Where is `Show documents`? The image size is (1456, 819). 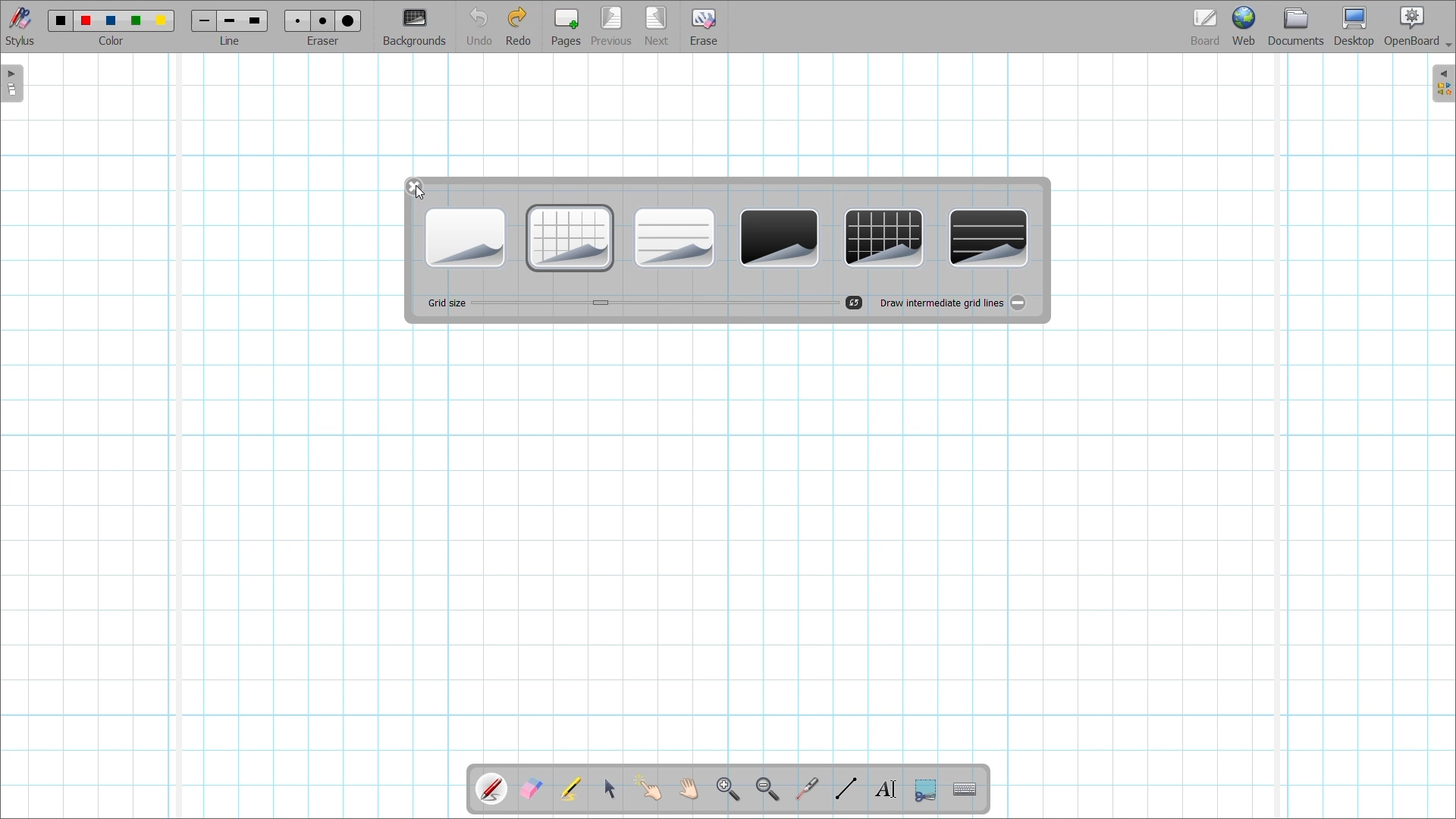
Show documents is located at coordinates (1296, 26).